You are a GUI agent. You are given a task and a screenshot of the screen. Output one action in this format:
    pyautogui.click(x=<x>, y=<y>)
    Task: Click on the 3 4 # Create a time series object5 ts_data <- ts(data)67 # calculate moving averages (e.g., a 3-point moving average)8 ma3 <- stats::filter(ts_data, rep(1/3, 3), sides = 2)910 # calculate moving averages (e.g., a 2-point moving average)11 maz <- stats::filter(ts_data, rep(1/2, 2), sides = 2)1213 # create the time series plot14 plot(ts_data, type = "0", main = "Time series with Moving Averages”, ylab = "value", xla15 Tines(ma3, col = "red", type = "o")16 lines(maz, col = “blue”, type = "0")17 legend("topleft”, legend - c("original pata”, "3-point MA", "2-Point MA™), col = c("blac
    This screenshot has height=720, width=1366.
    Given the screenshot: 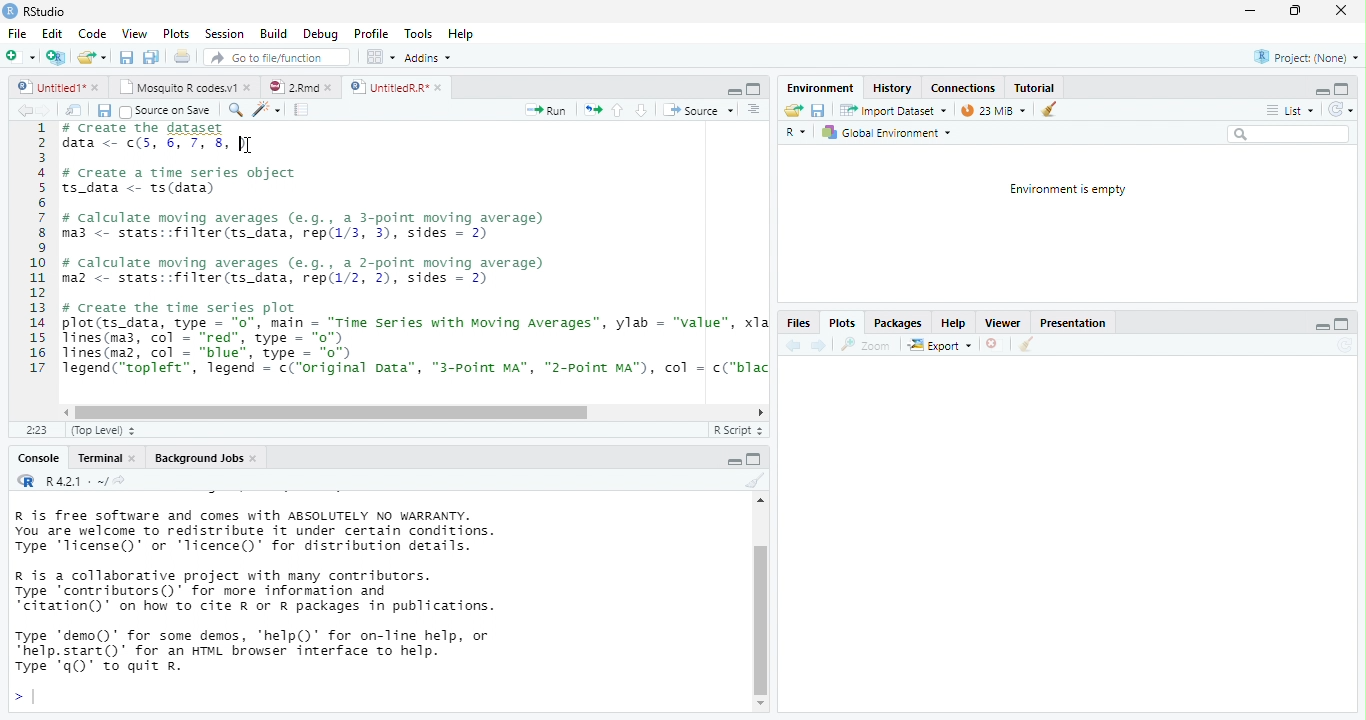 What is the action you would take?
    pyautogui.click(x=396, y=264)
    